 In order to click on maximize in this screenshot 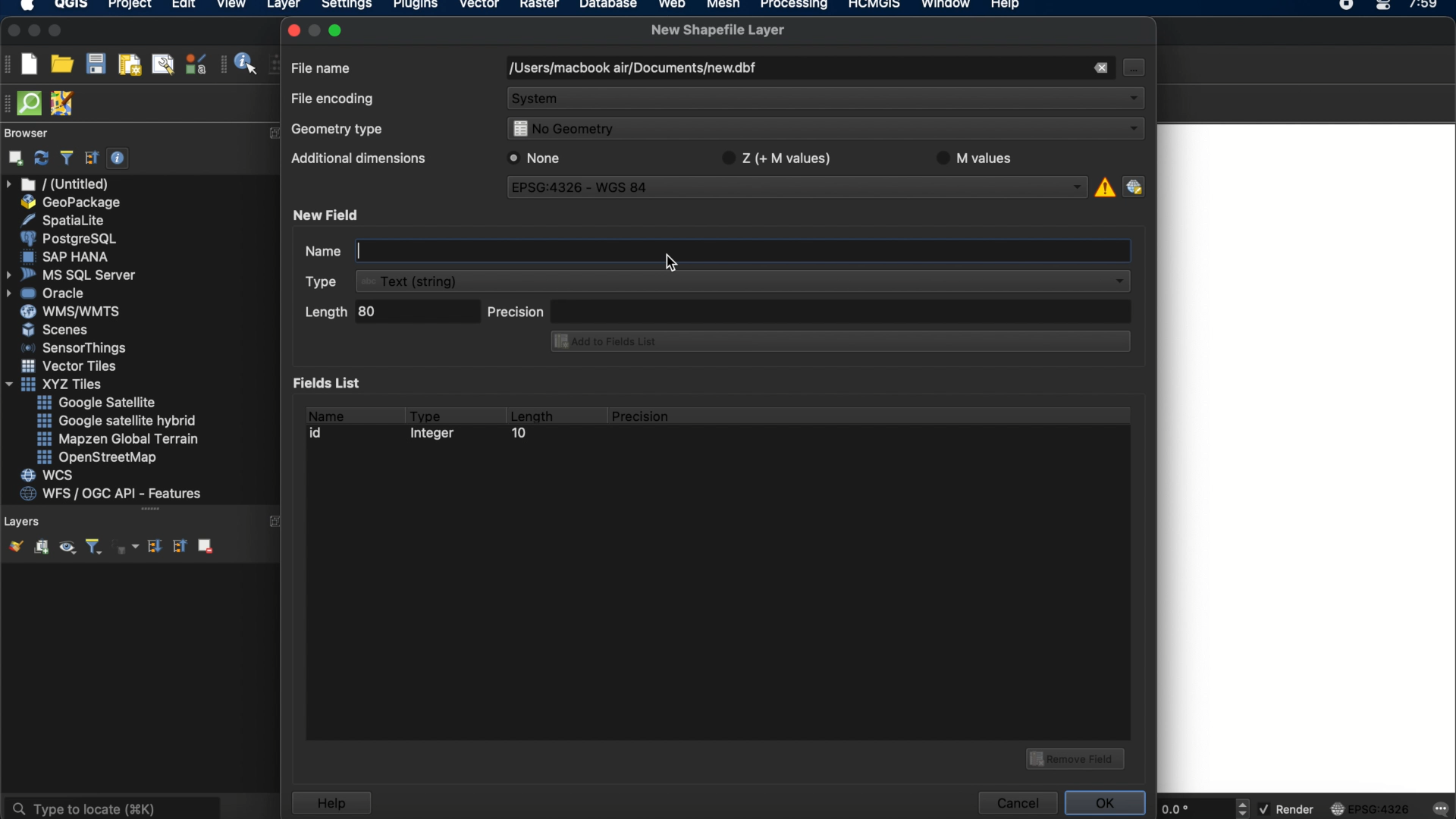, I will do `click(56, 32)`.